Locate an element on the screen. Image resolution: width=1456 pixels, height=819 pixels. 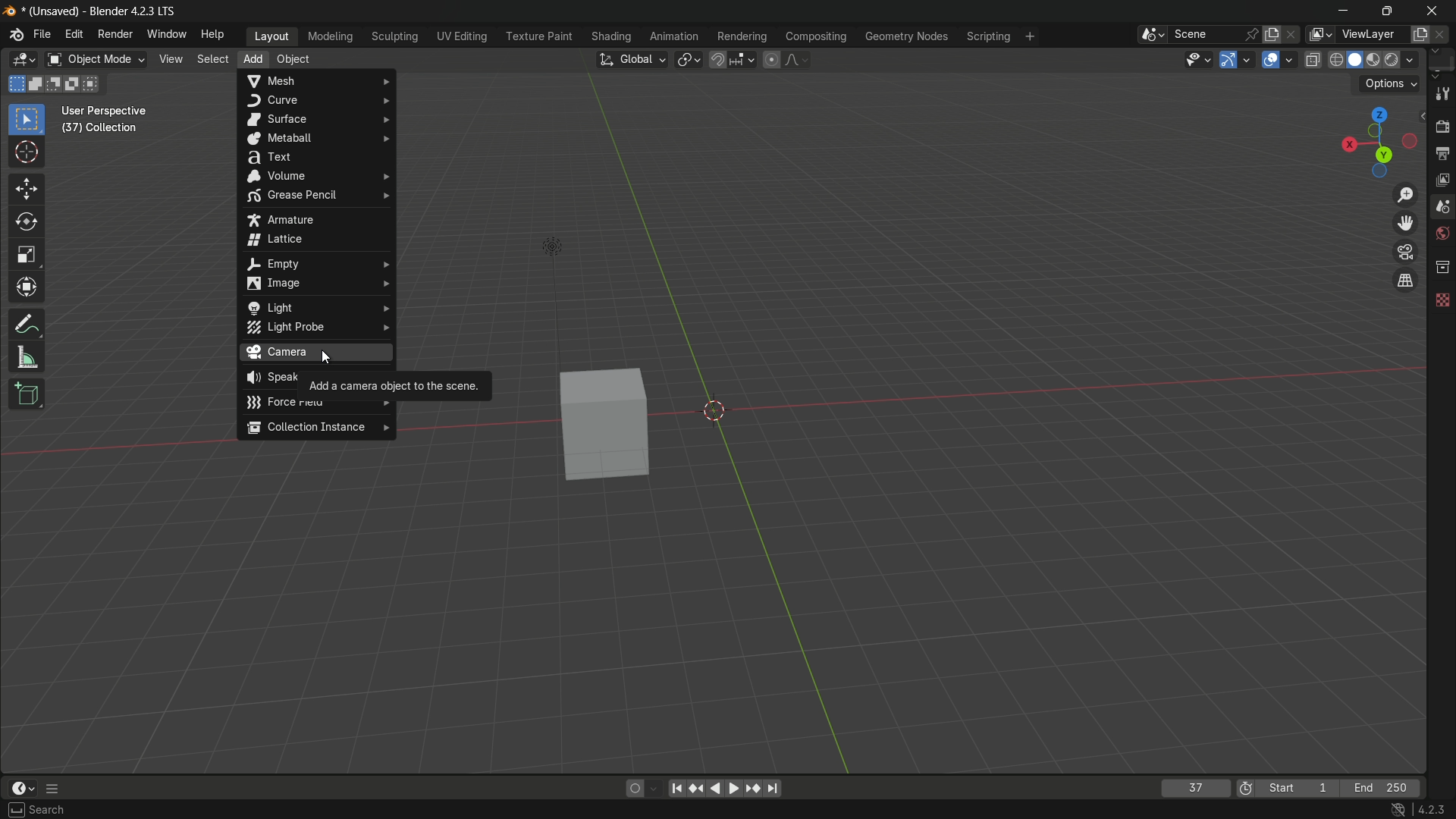
extend existing selection is located at coordinates (37, 84).